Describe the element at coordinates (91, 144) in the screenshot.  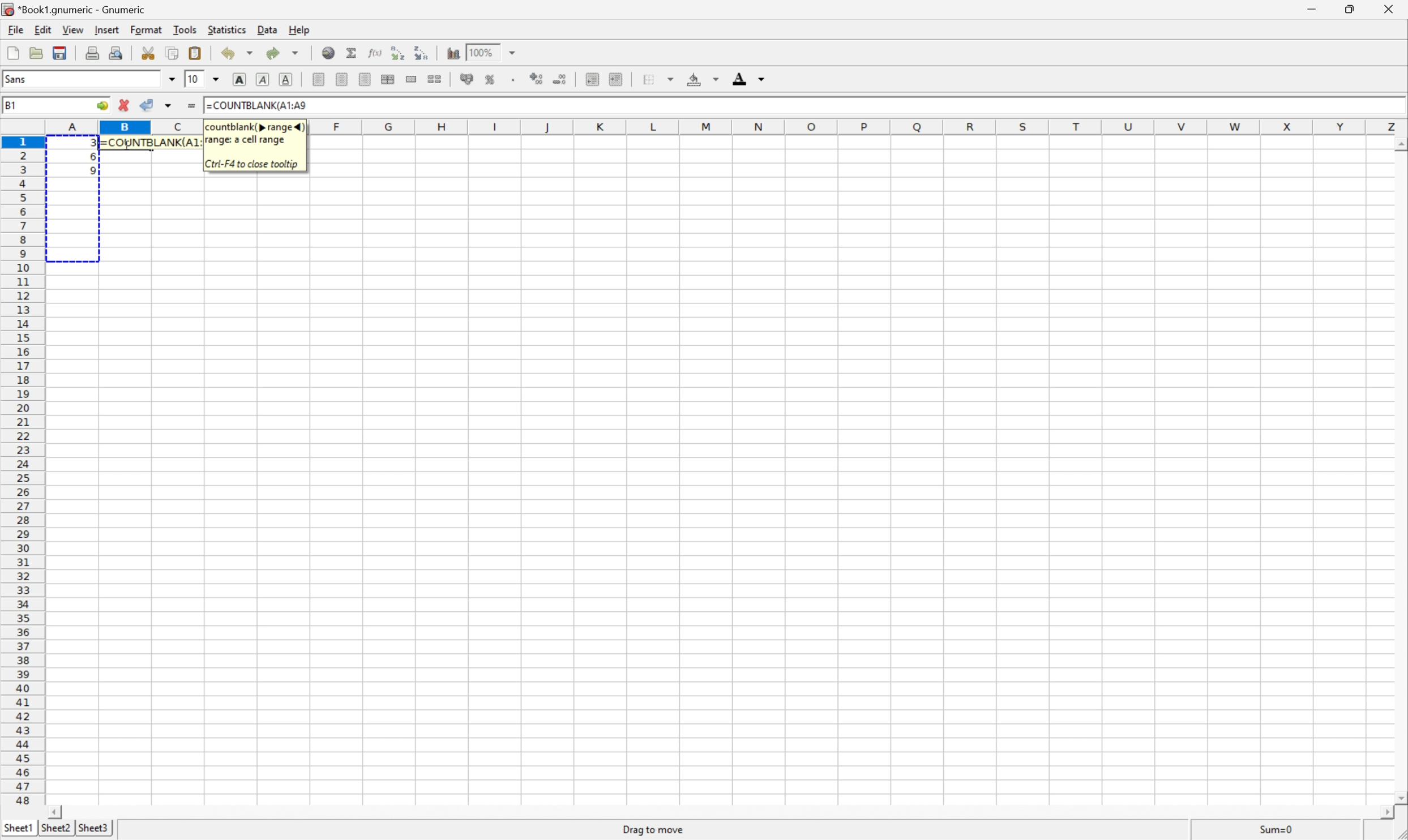
I see `3` at that location.